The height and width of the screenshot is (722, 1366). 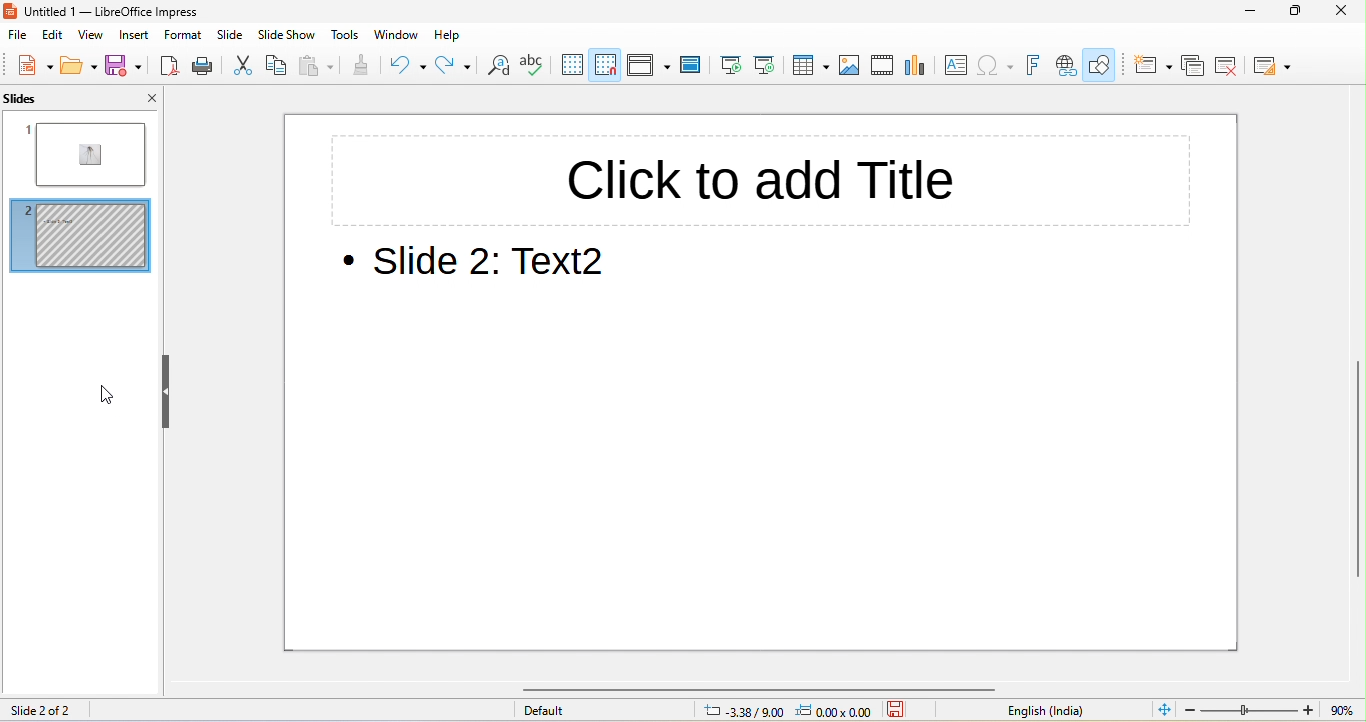 I want to click on file, so click(x=16, y=36).